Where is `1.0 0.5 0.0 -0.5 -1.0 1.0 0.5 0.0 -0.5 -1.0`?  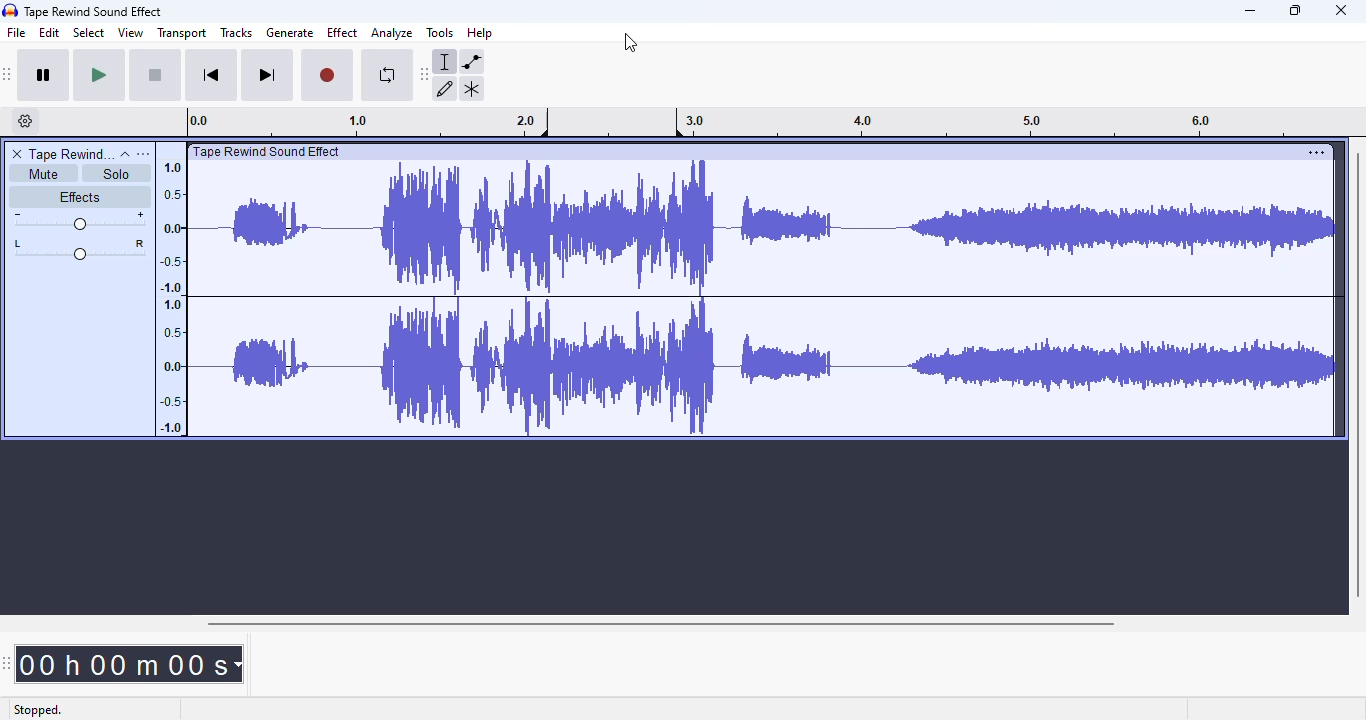
1.0 0.5 0.0 -0.5 -1.0 1.0 0.5 0.0 -0.5 -1.0 is located at coordinates (172, 291).